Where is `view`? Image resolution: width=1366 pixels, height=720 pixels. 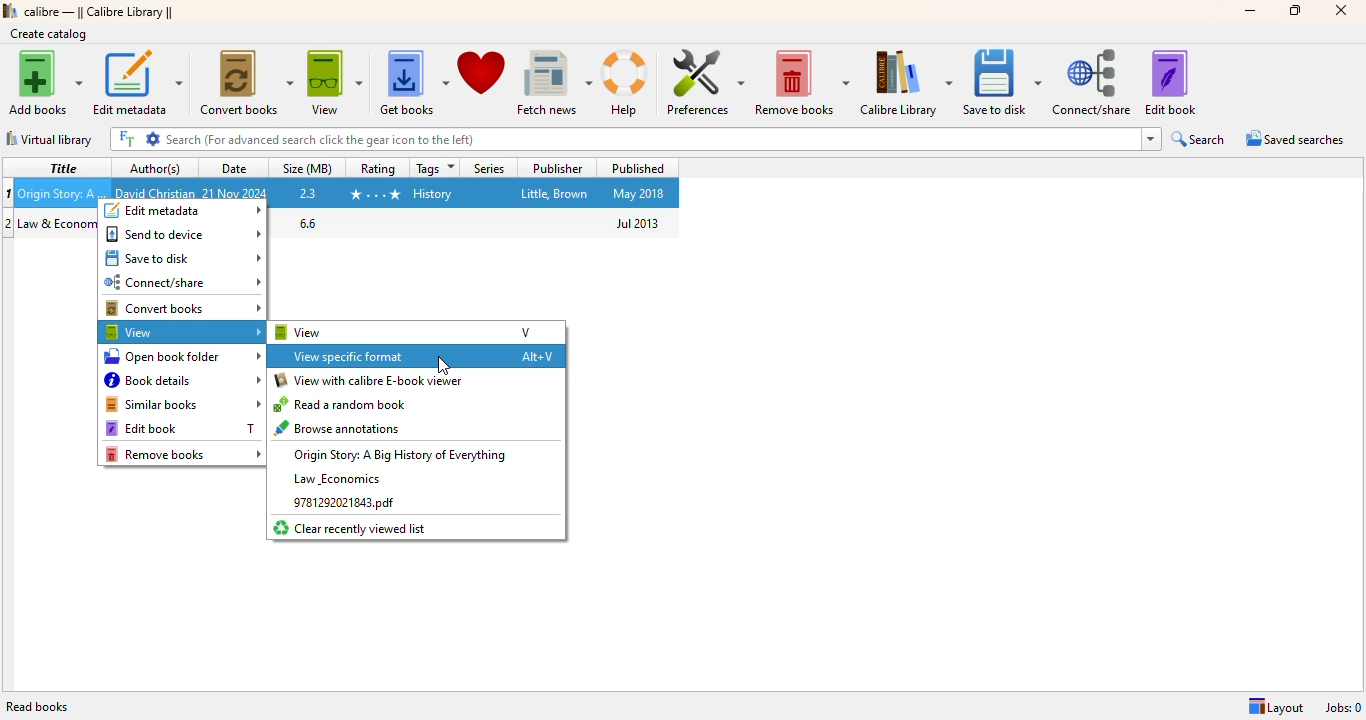 view is located at coordinates (182, 332).